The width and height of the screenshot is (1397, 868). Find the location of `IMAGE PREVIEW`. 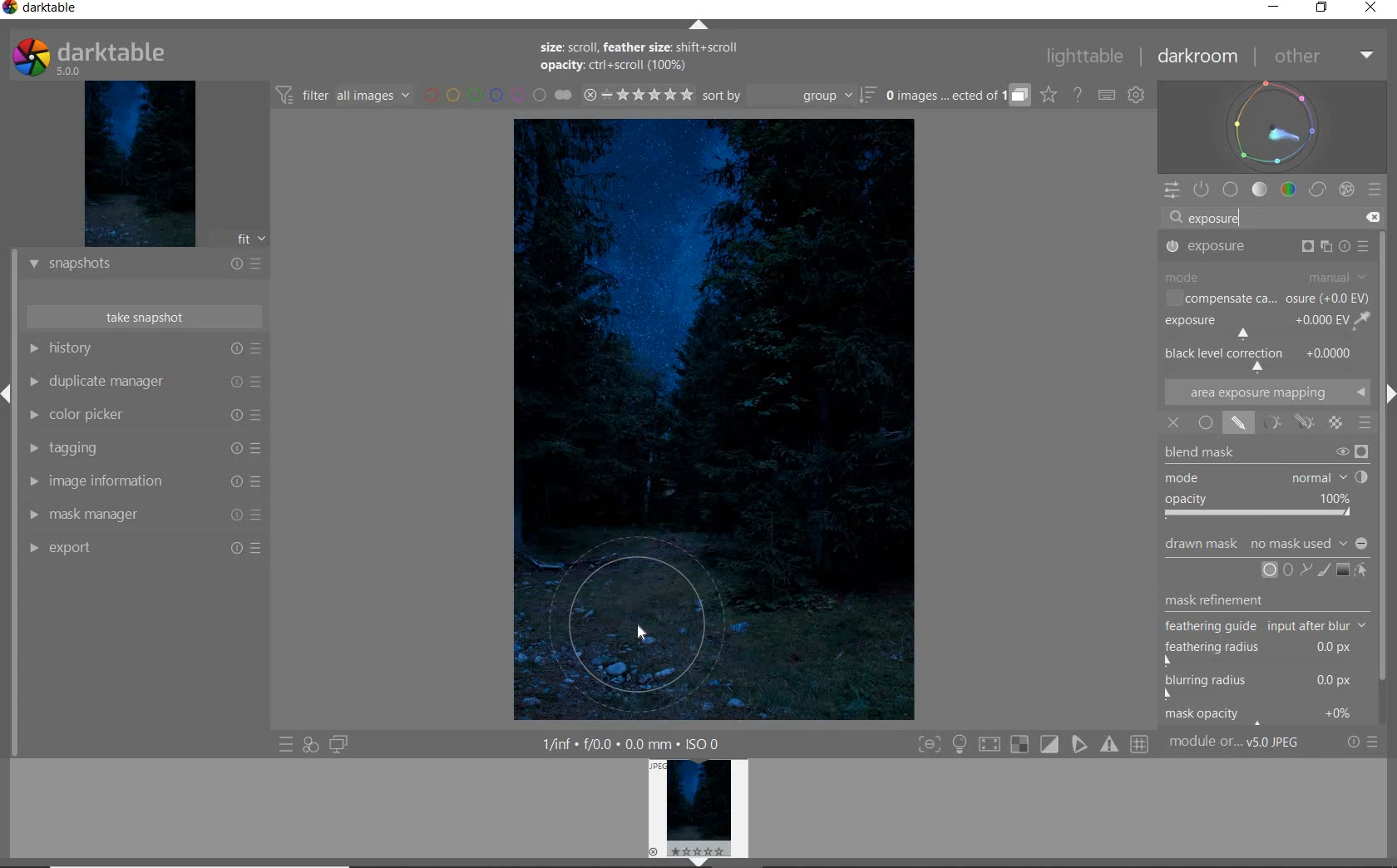

IMAGE PREVIEW is located at coordinates (698, 812).